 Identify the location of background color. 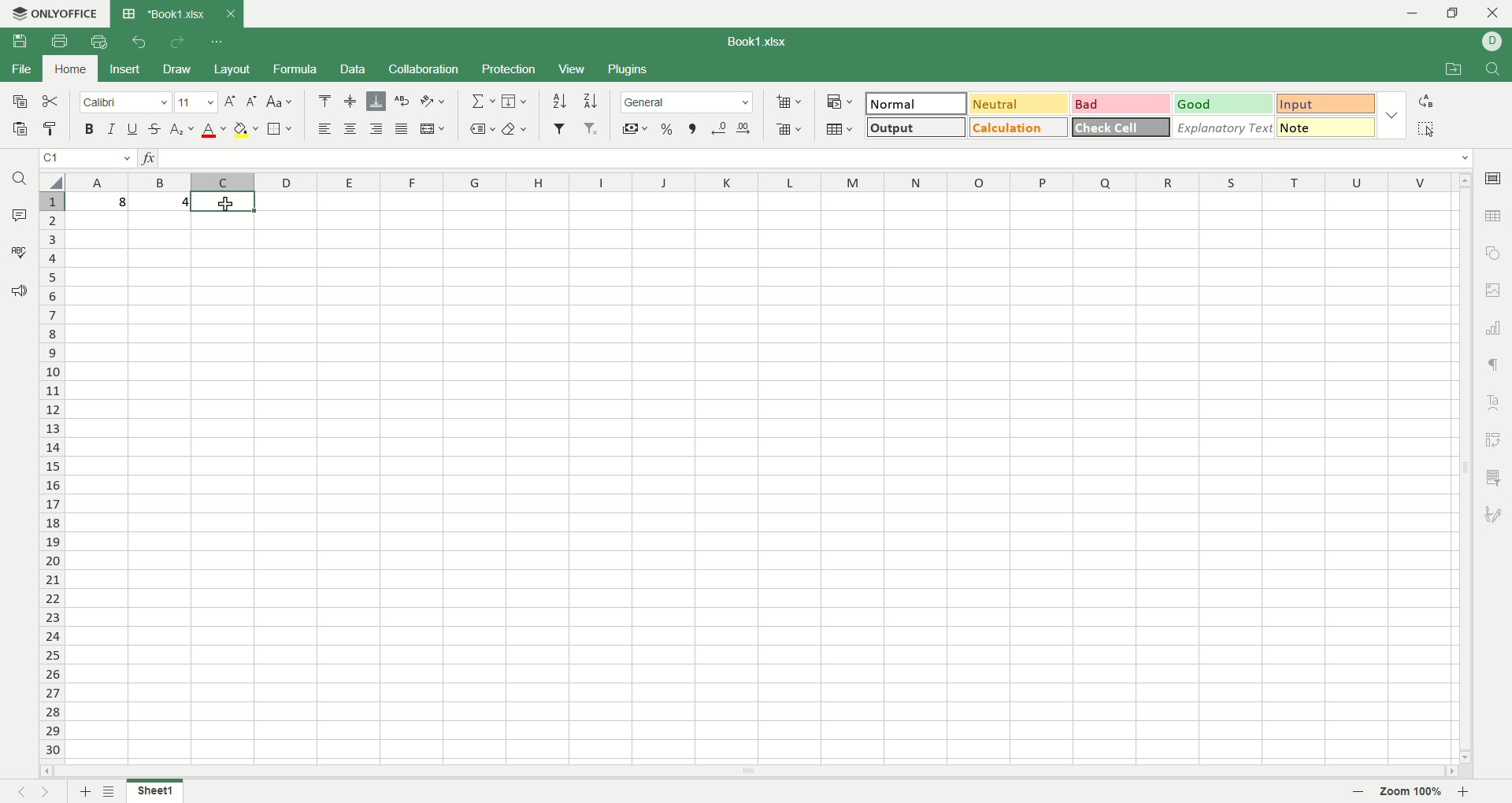
(246, 130).